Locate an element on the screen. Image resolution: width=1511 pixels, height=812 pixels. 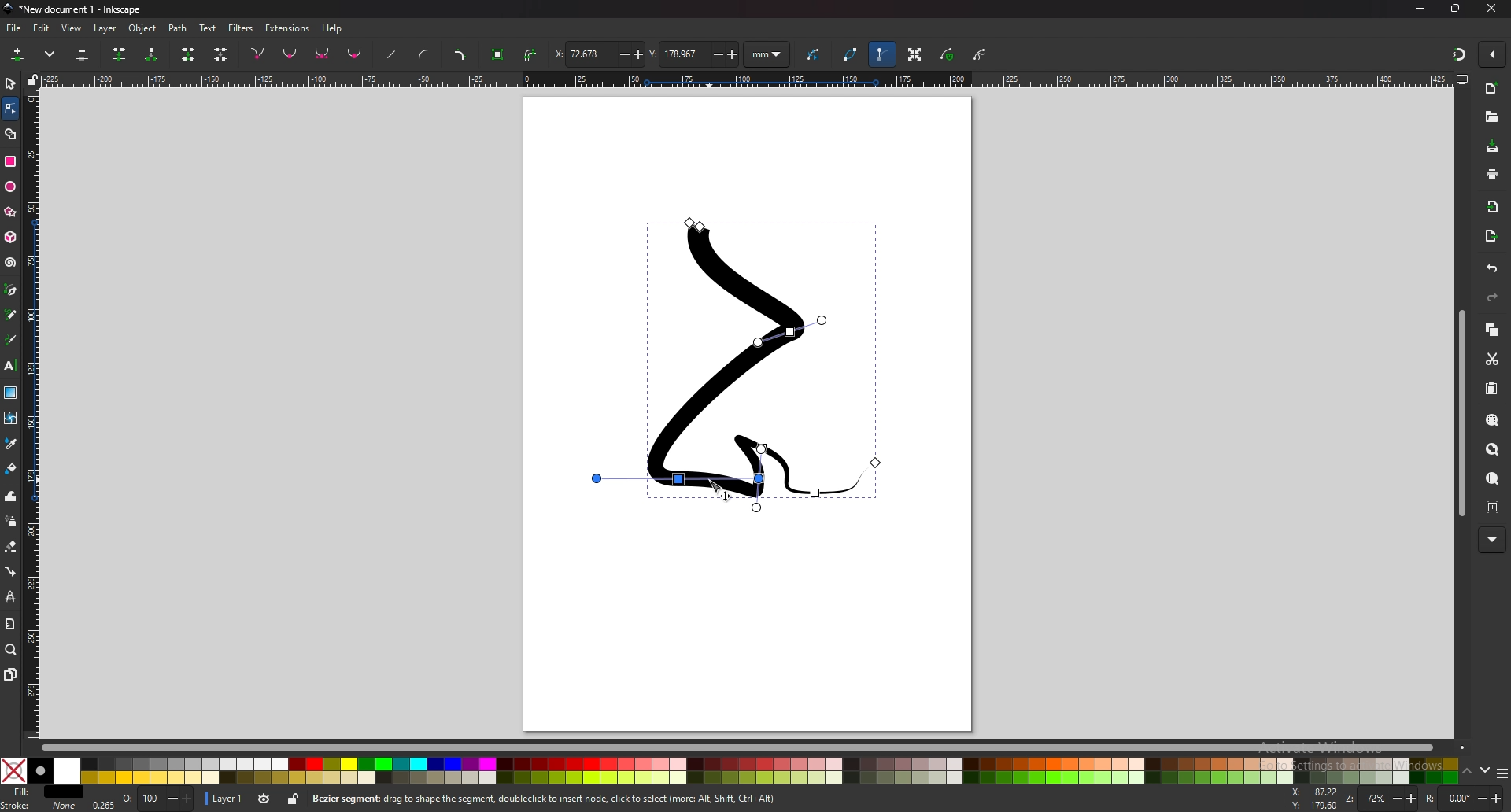
zoom centre page is located at coordinates (1493, 507).